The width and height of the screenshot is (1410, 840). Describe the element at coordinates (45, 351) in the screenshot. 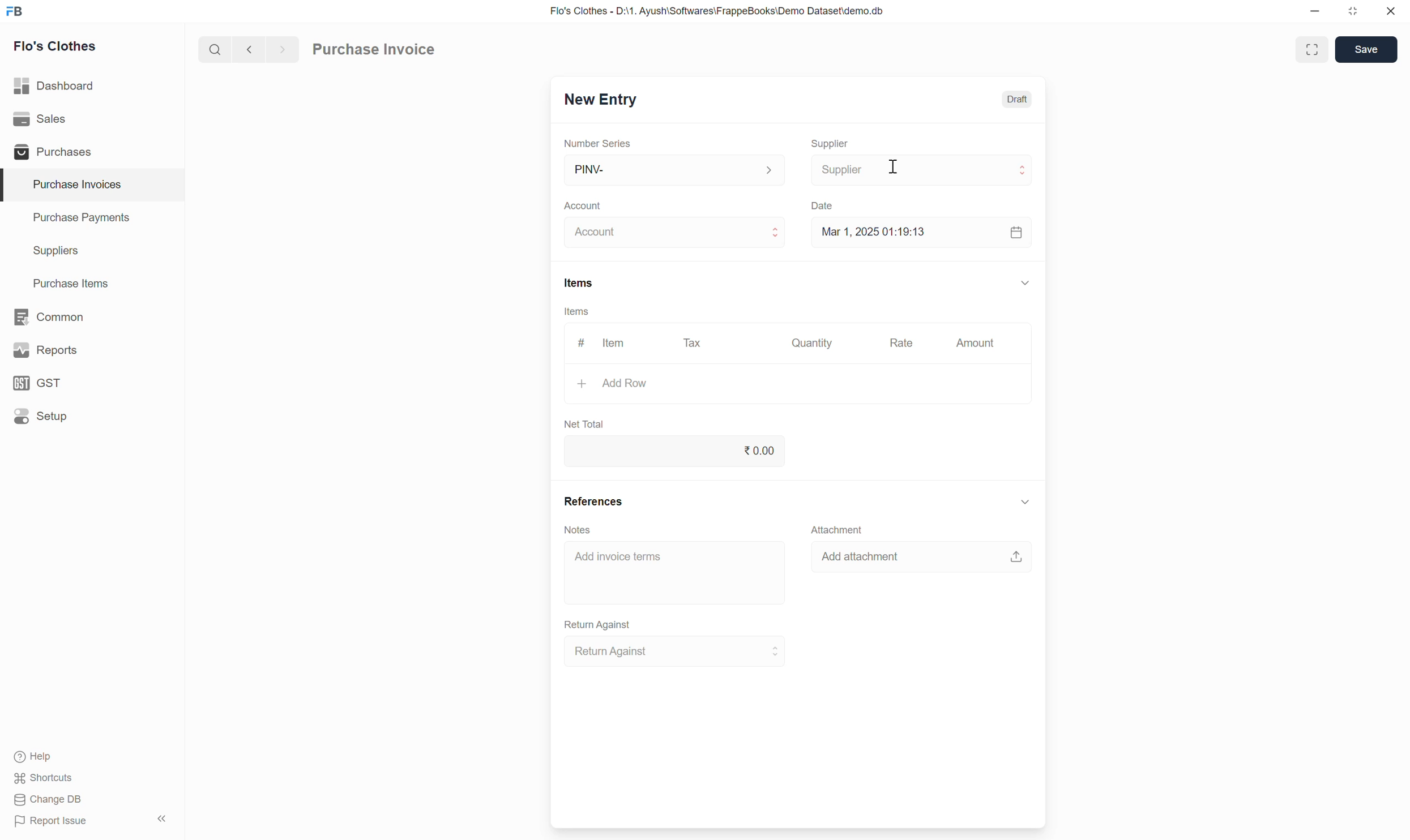

I see `y Reports` at that location.